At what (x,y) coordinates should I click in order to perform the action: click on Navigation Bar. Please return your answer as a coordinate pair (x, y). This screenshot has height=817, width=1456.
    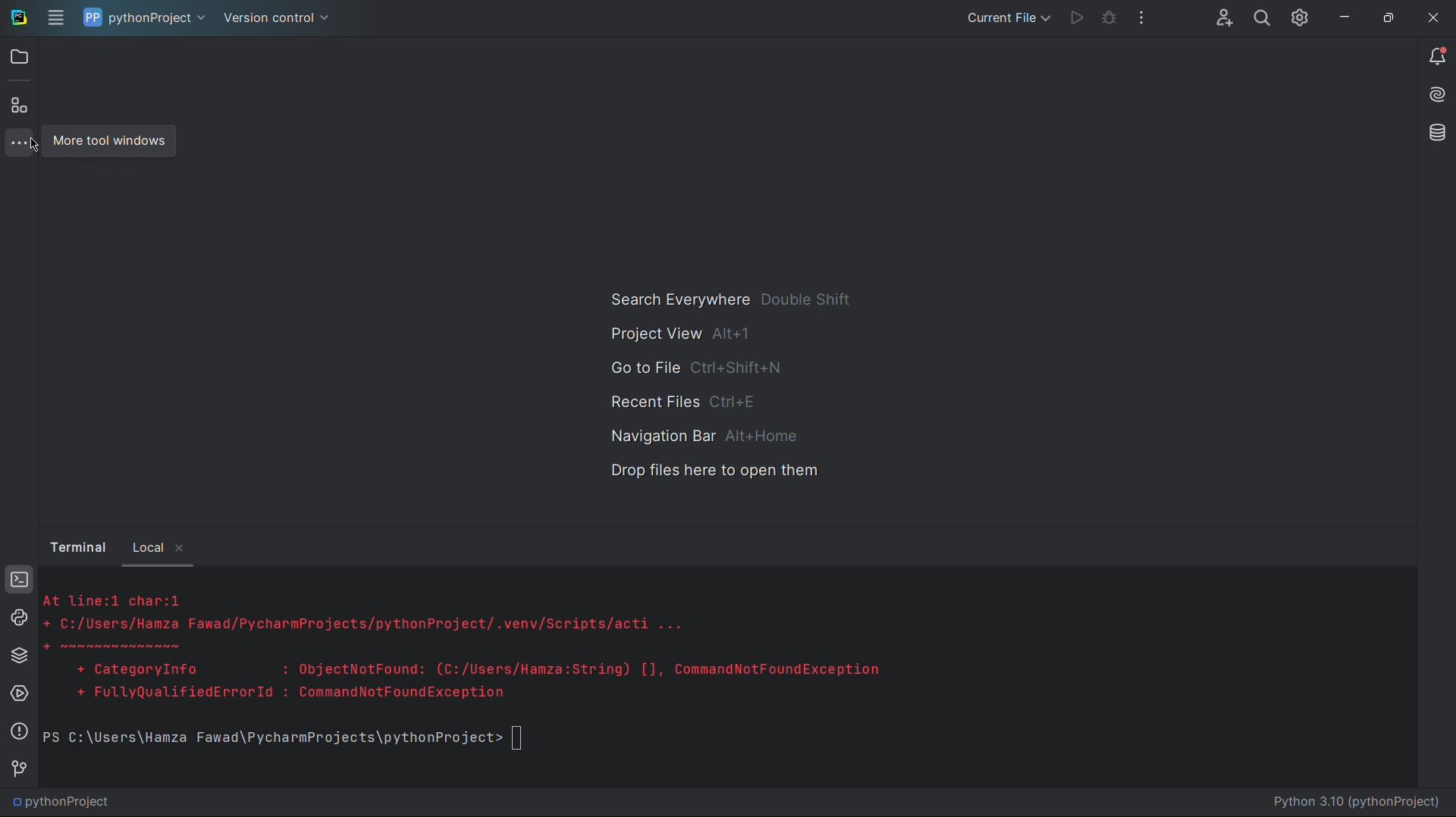
    Looking at the image, I should click on (699, 436).